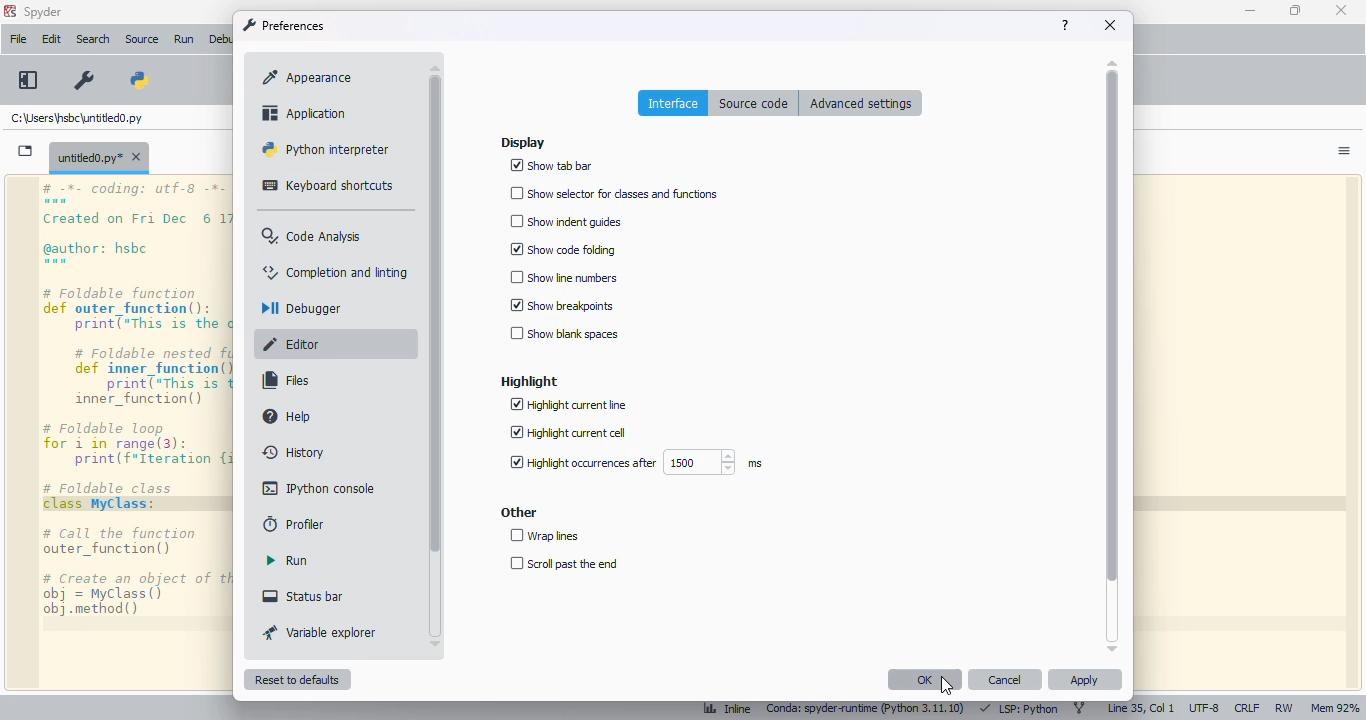 This screenshot has height=720, width=1366. What do you see at coordinates (1079, 709) in the screenshot?
I see `git branch` at bounding box center [1079, 709].